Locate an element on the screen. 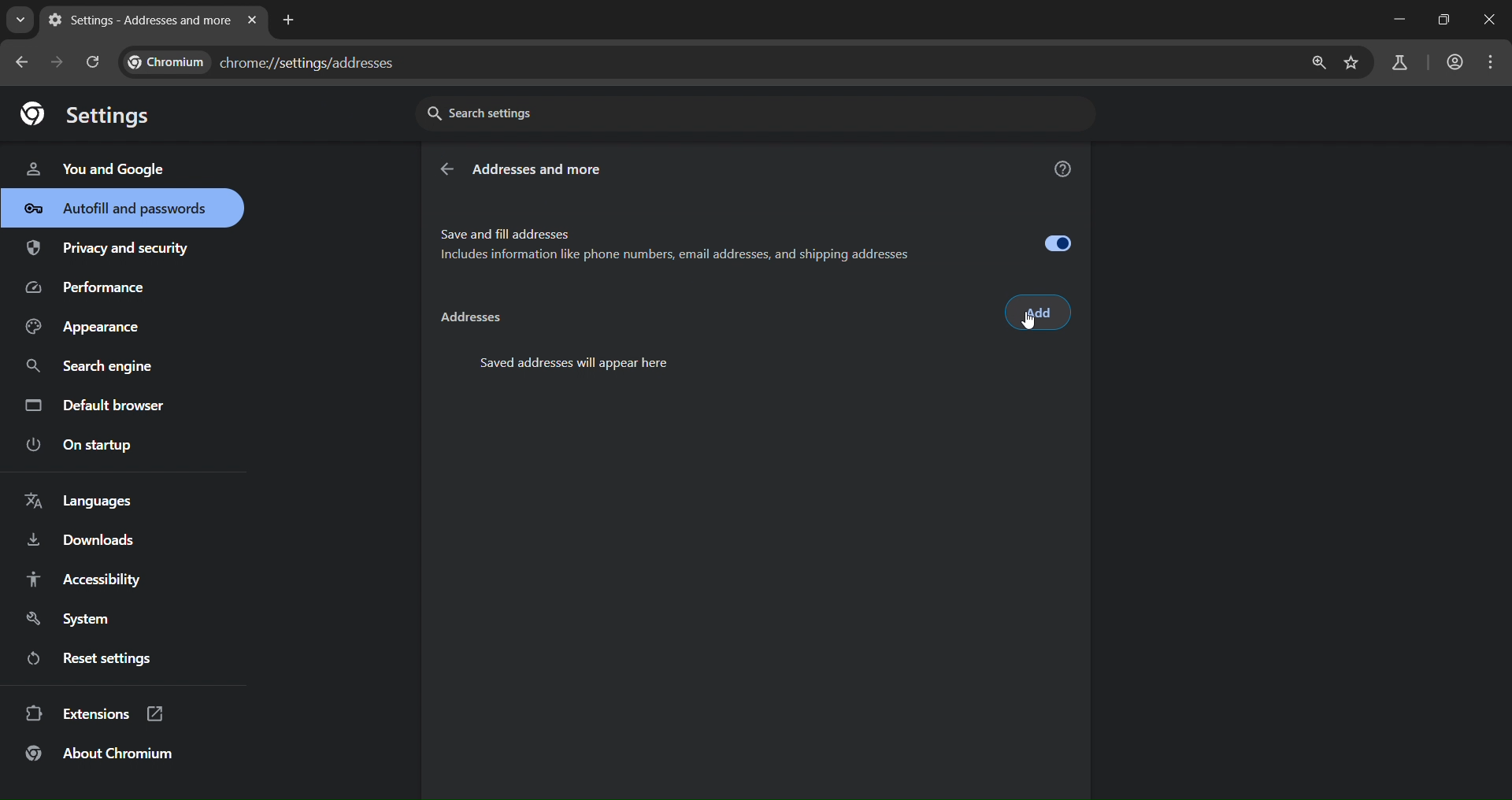 This screenshot has width=1512, height=800. new tab is located at coordinates (289, 18).